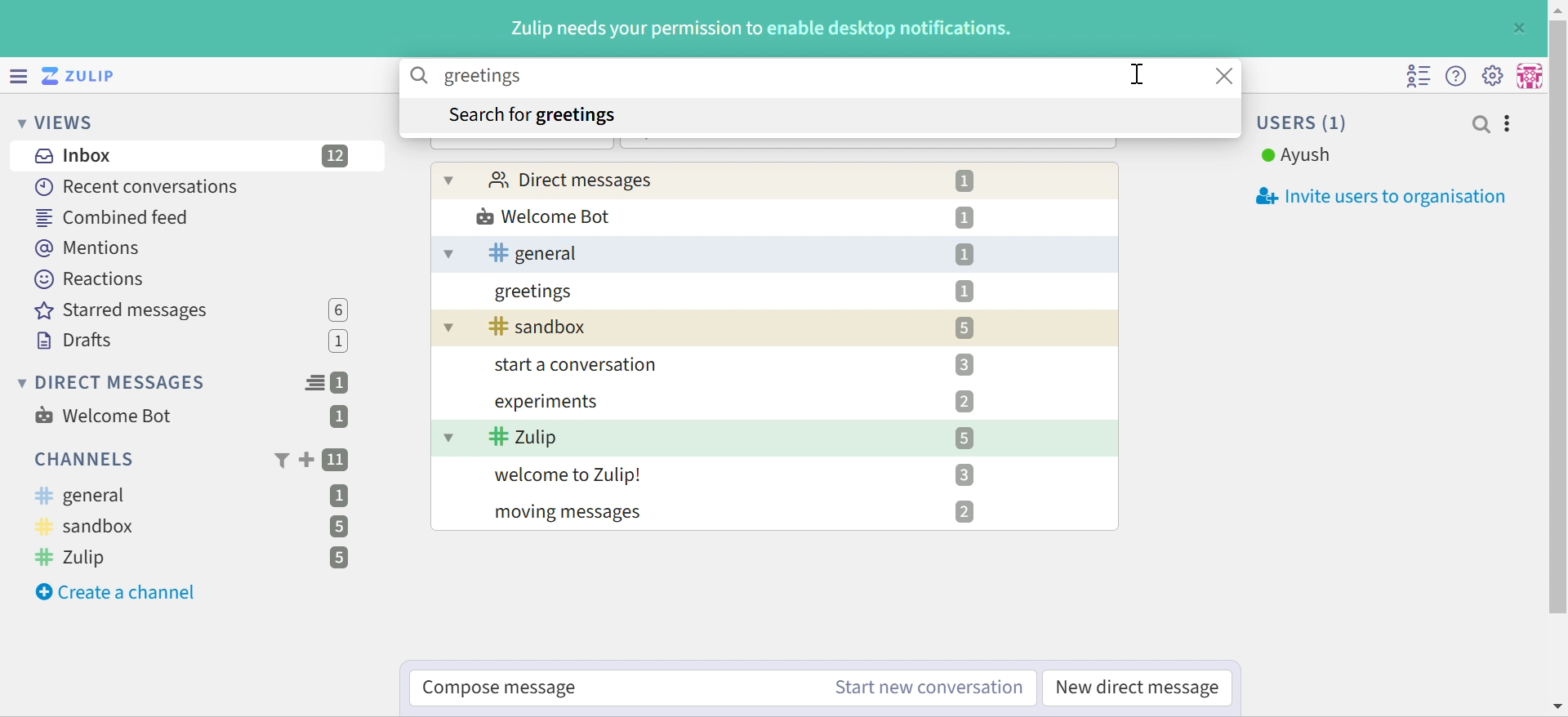 The width and height of the screenshot is (1568, 717). What do you see at coordinates (448, 254) in the screenshot?
I see `general` at bounding box center [448, 254].